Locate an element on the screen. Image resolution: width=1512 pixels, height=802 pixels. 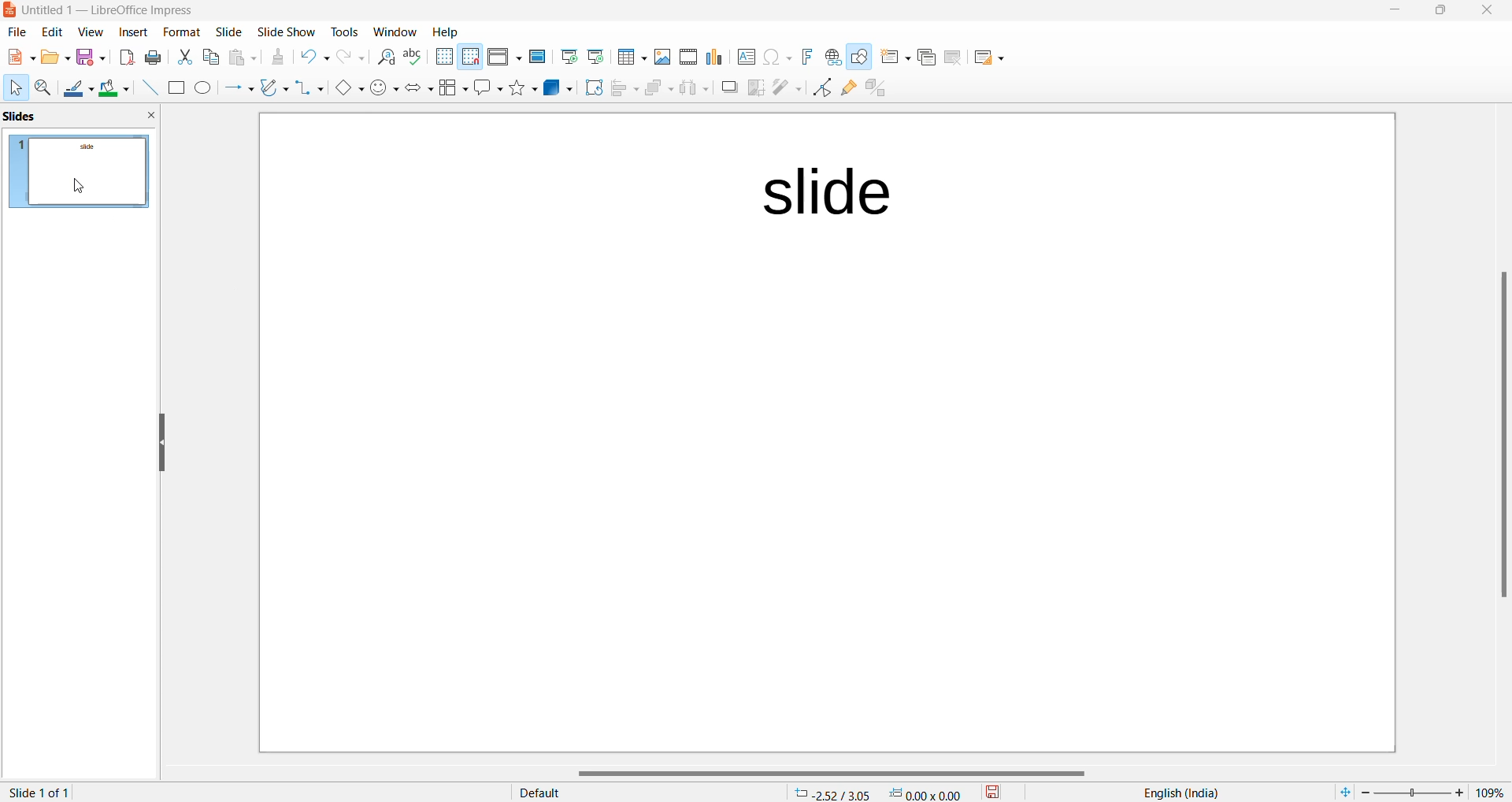
insert special characters is located at coordinates (777, 58).